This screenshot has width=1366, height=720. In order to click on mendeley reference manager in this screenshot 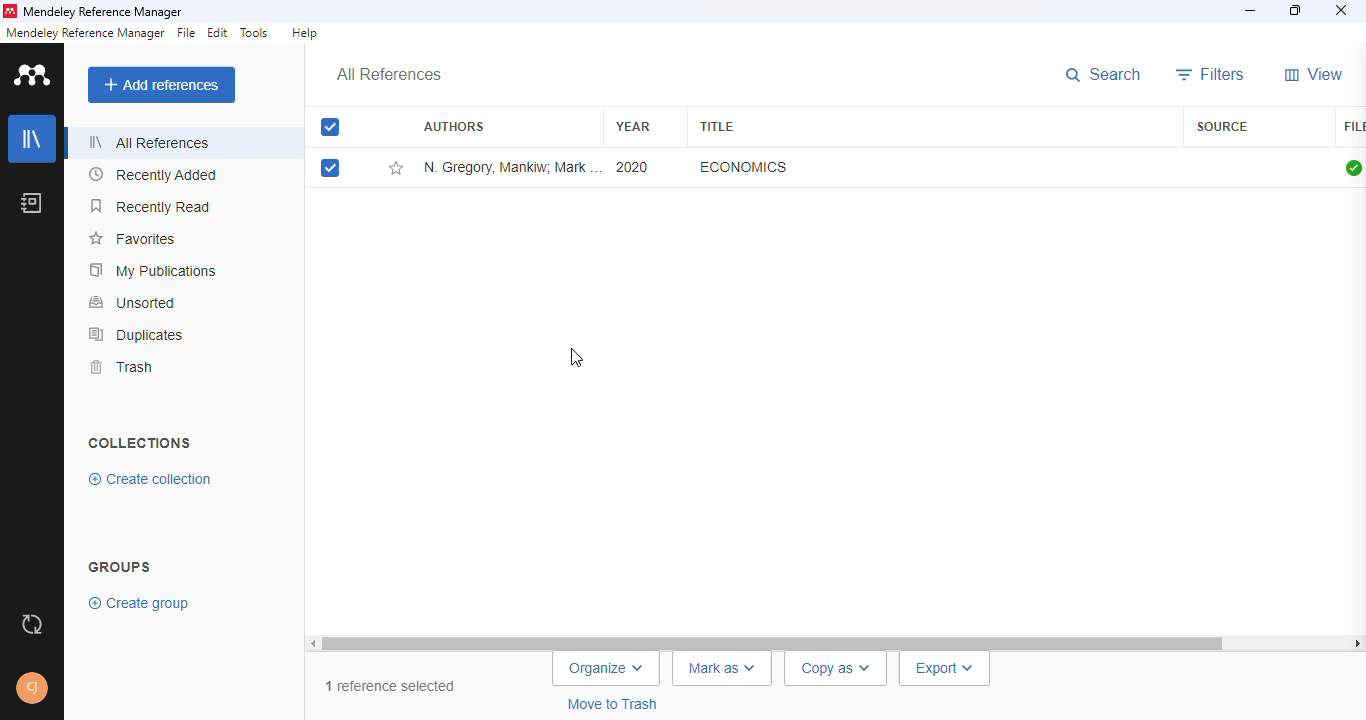, I will do `click(103, 11)`.